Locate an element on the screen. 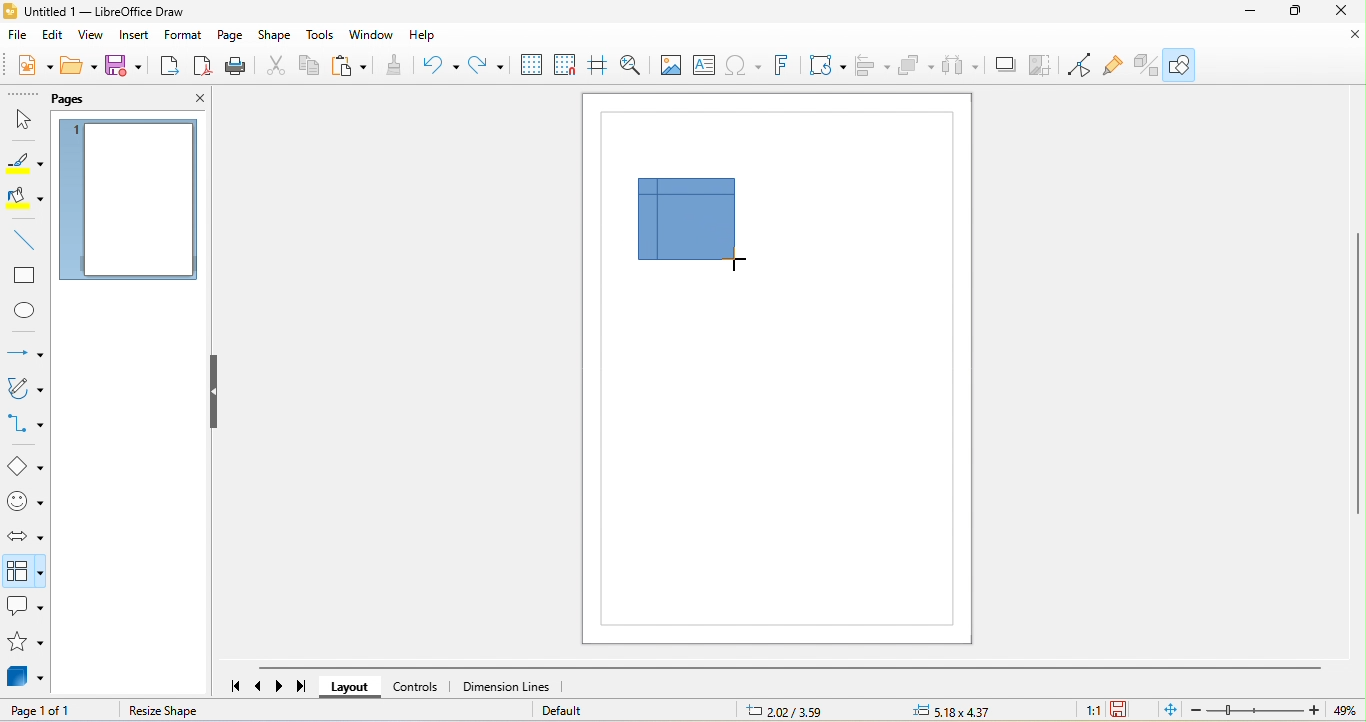 The width and height of the screenshot is (1366, 722). show draw function is located at coordinates (1179, 65).